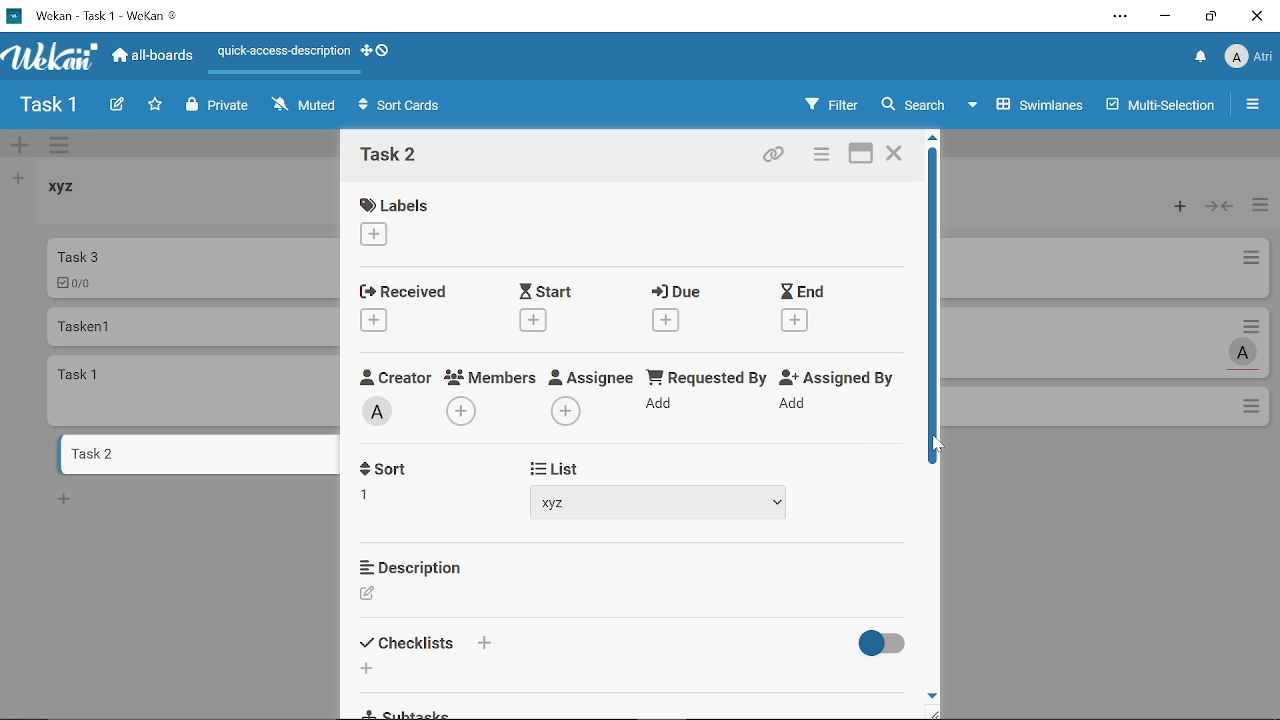 The width and height of the screenshot is (1280, 720). Describe the element at coordinates (804, 291) in the screenshot. I see `End` at that location.